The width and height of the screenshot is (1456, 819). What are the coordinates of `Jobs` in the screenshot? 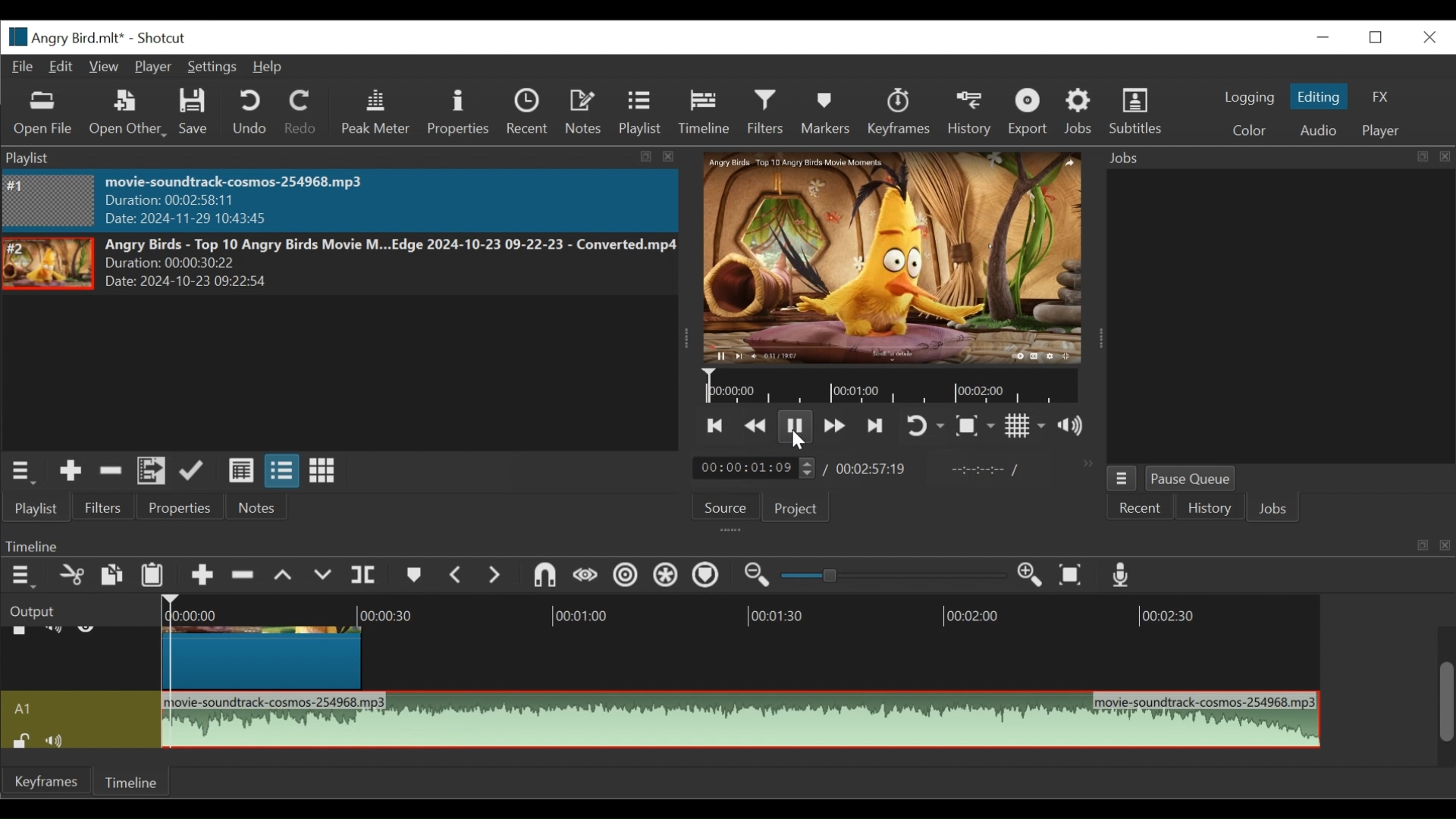 It's located at (1276, 508).